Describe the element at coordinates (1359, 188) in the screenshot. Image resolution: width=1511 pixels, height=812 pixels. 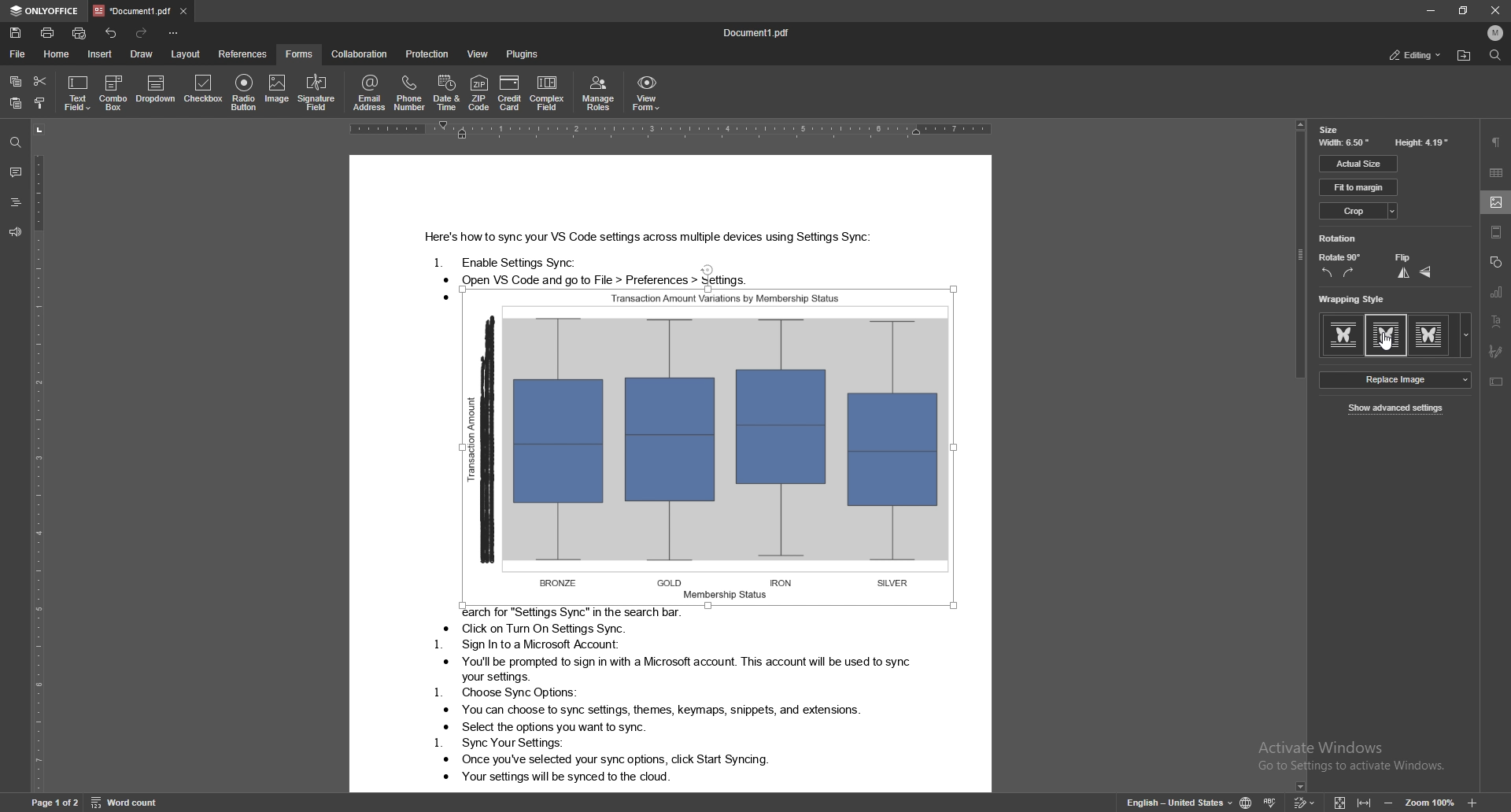
I see `fit to margin` at that location.